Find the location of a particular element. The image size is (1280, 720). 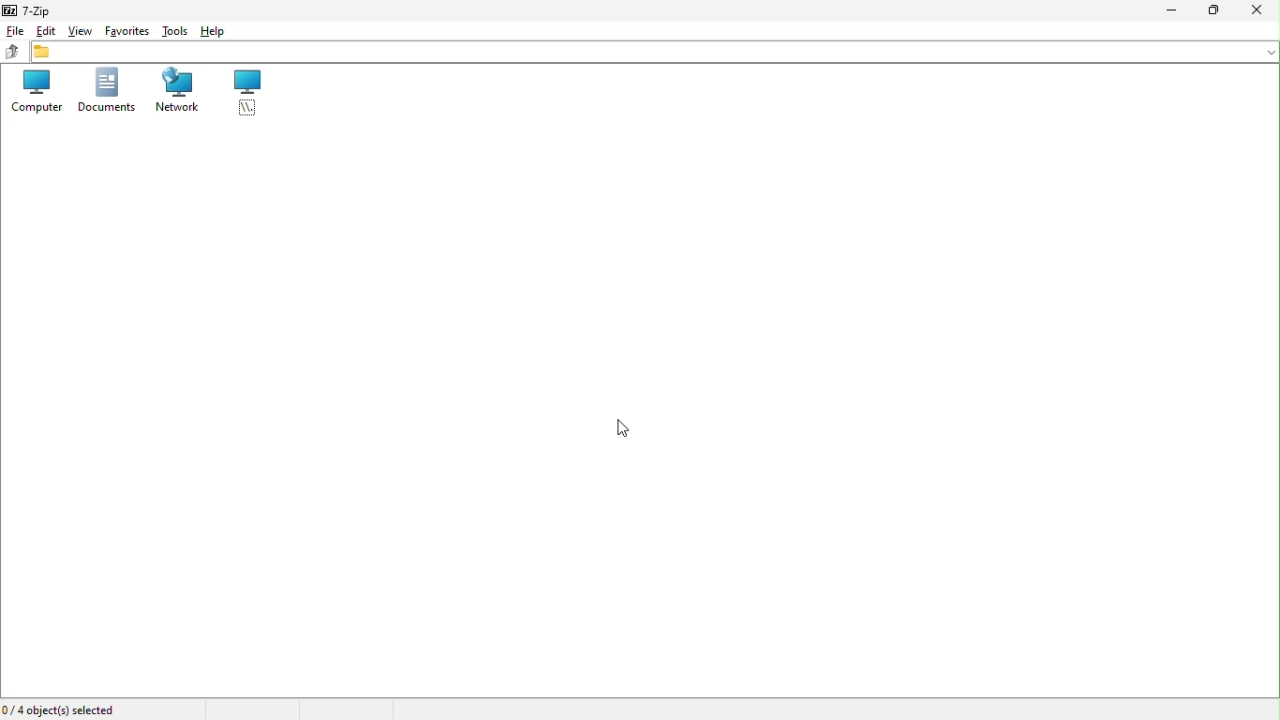

Edit  is located at coordinates (46, 30).